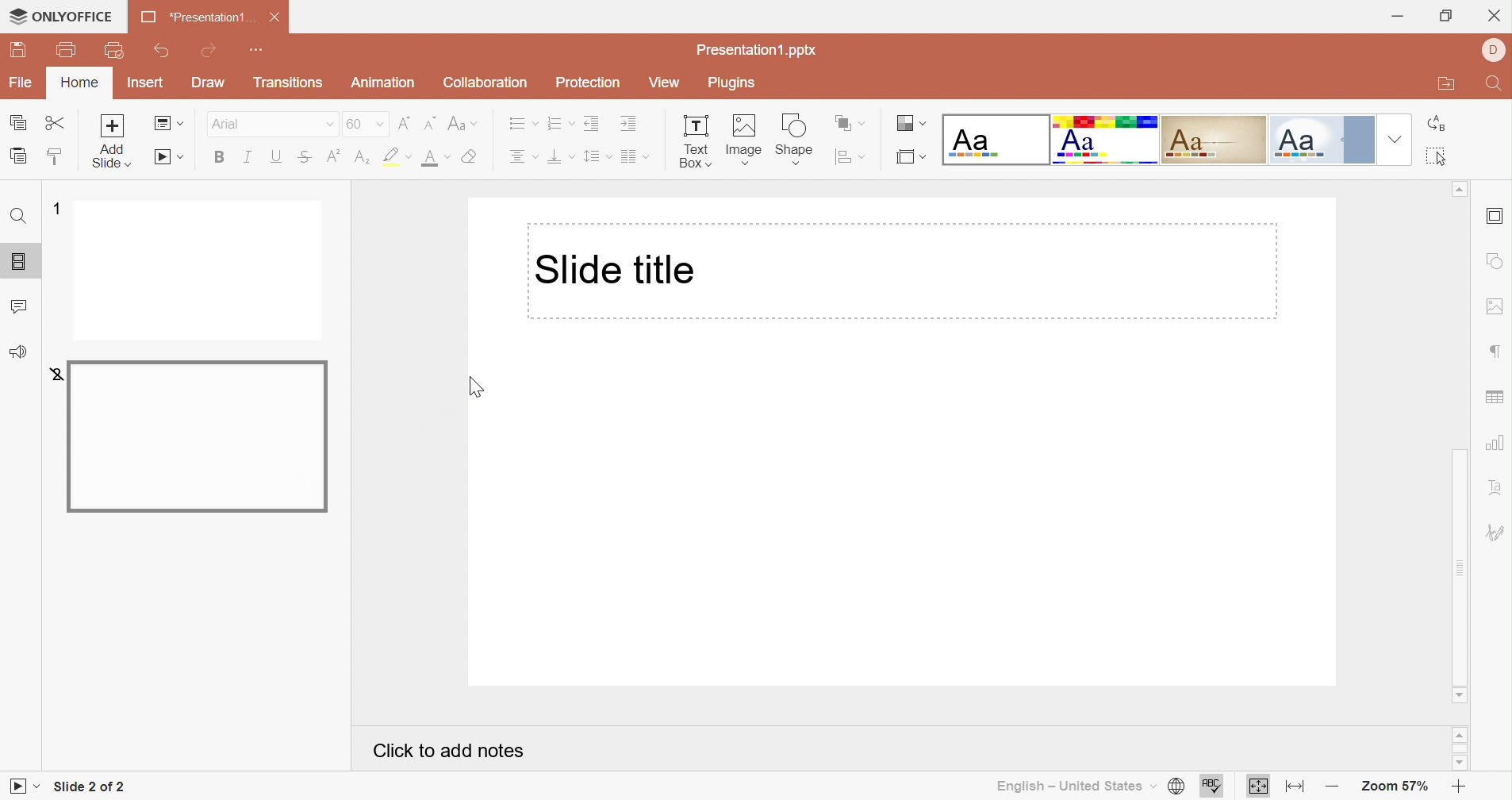 This screenshot has width=1512, height=800. I want to click on Add Slide, so click(117, 143).